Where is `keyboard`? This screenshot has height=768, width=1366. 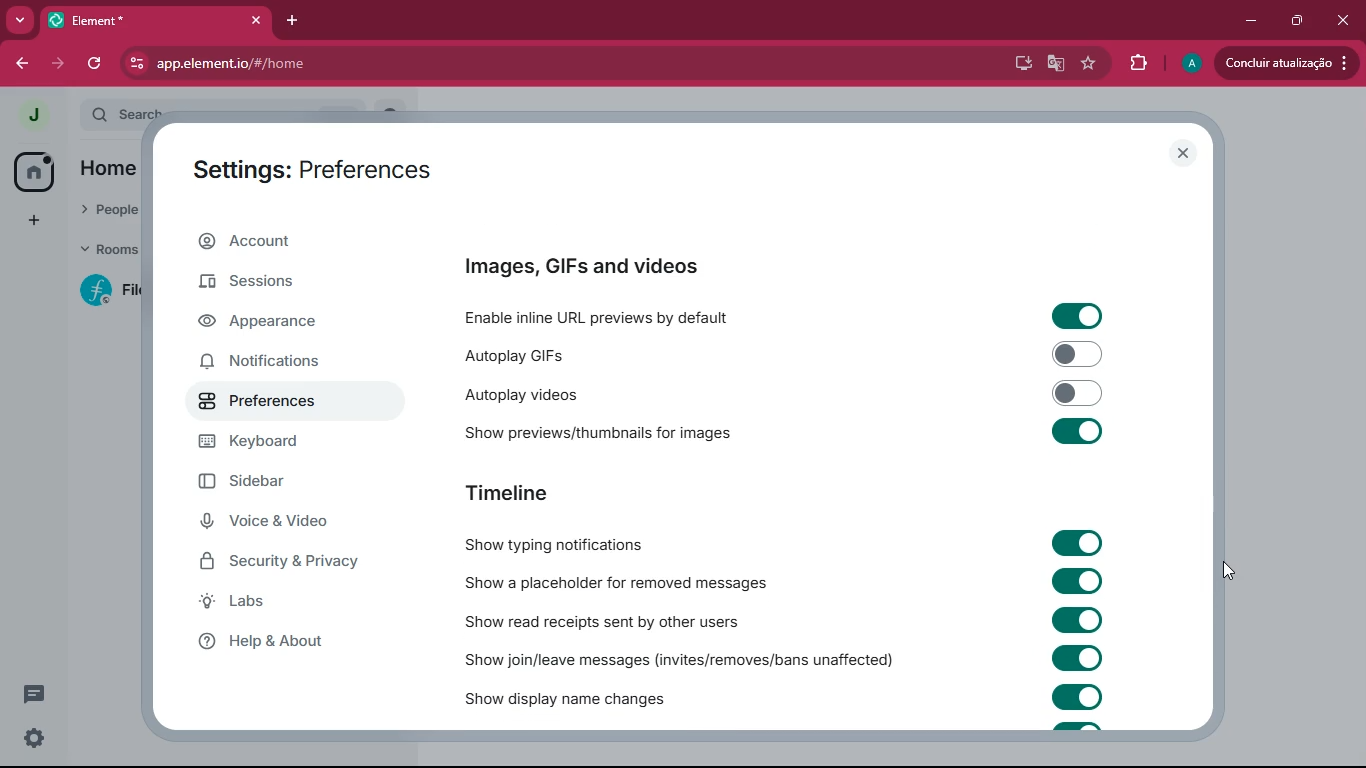 keyboard is located at coordinates (283, 445).